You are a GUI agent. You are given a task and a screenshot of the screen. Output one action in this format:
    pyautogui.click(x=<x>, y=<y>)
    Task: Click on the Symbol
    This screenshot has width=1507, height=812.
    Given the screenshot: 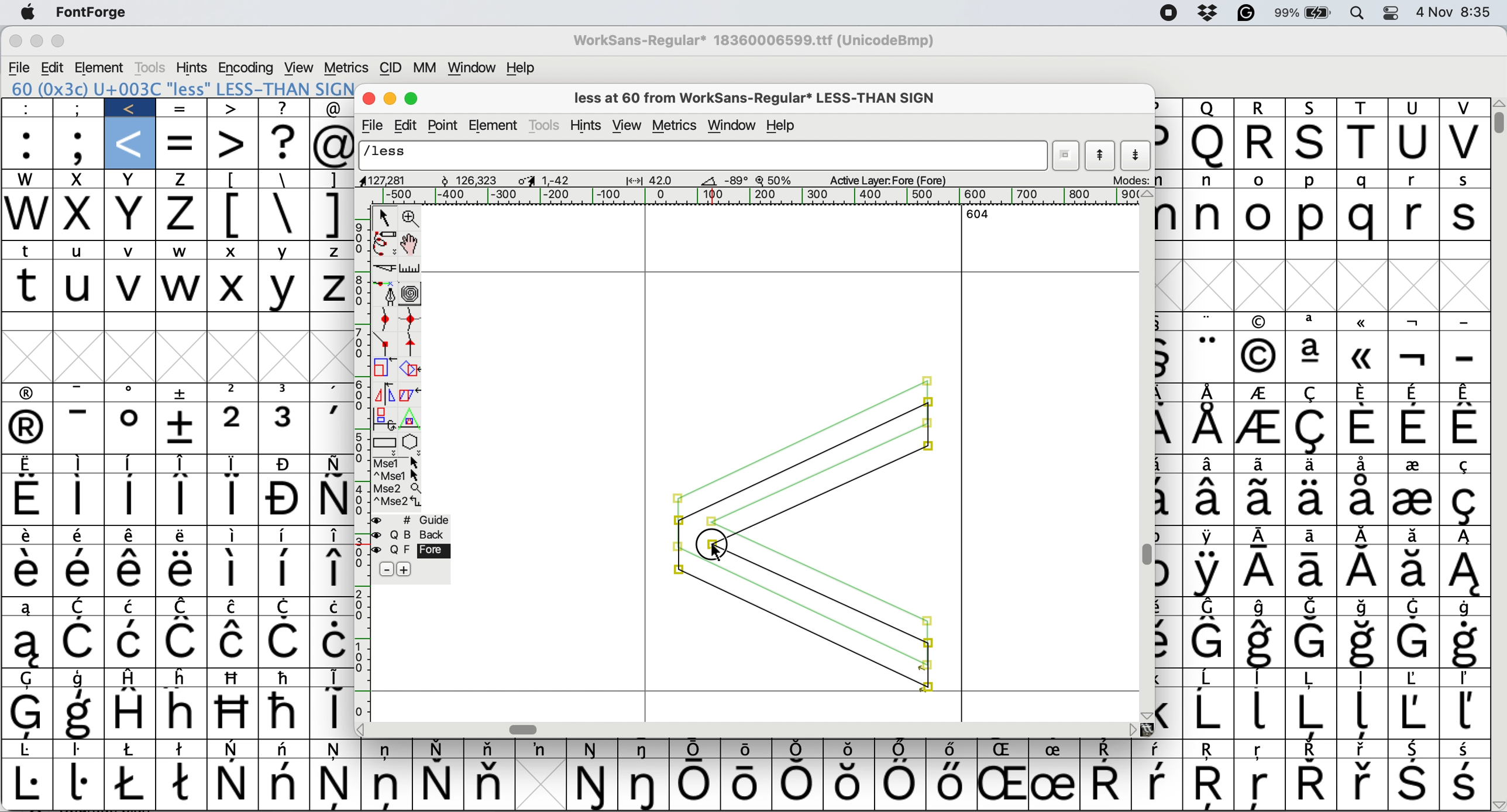 What is the action you would take?
    pyautogui.click(x=179, y=428)
    